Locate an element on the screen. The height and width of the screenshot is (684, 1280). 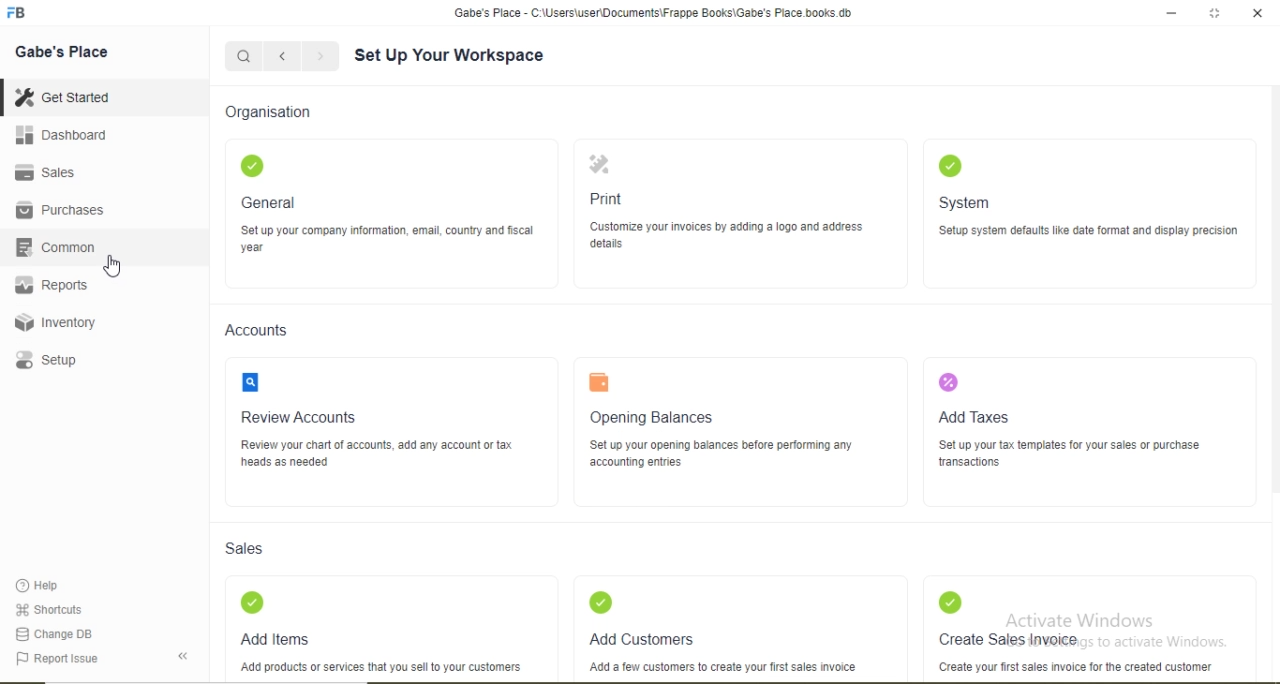
Sales is located at coordinates (244, 548).